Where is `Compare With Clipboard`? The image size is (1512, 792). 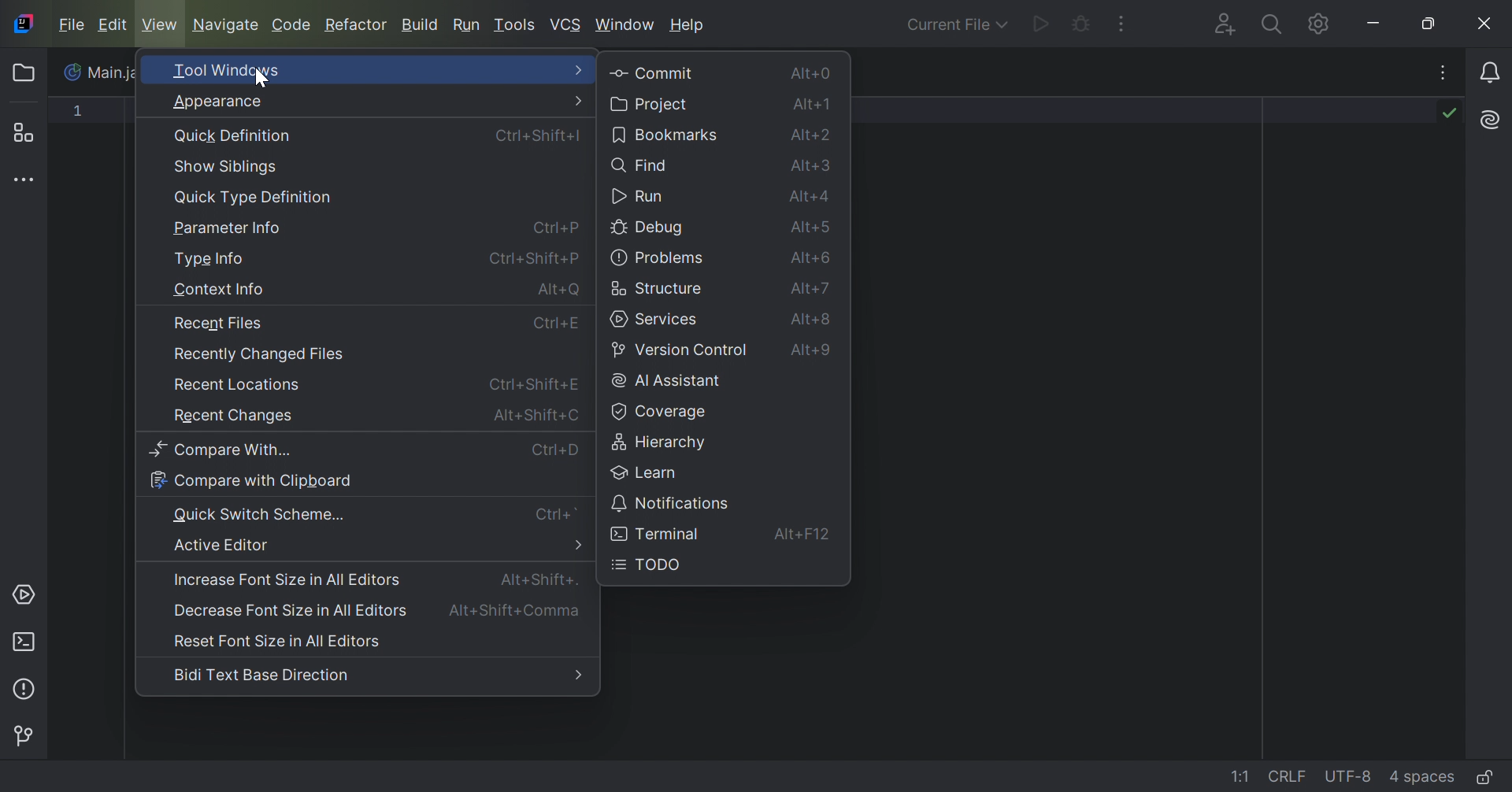
Compare With Clipboard is located at coordinates (251, 481).